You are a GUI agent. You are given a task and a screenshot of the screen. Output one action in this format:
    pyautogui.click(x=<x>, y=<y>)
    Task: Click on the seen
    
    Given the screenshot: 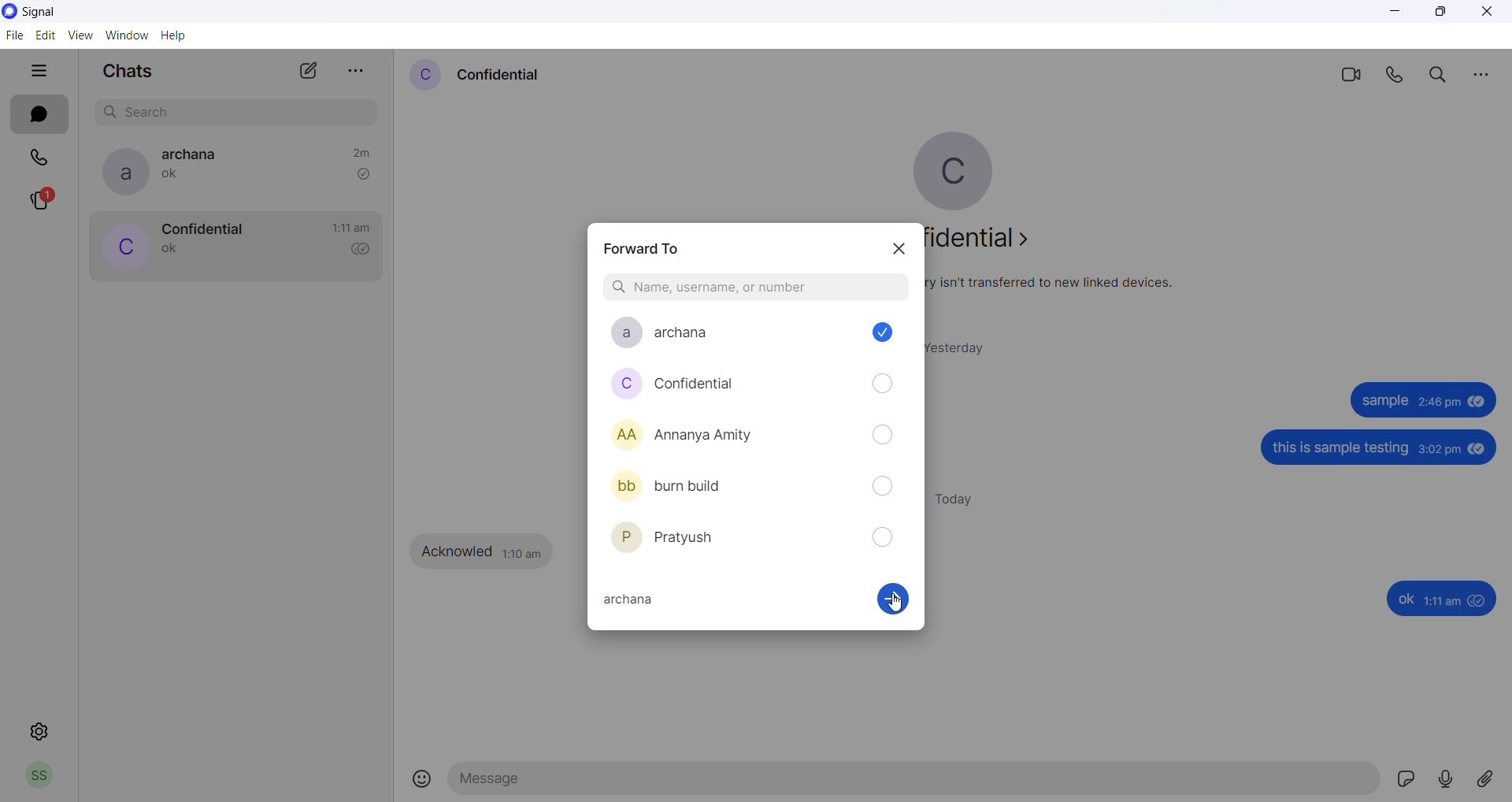 What is the action you would take?
    pyautogui.click(x=1480, y=601)
    